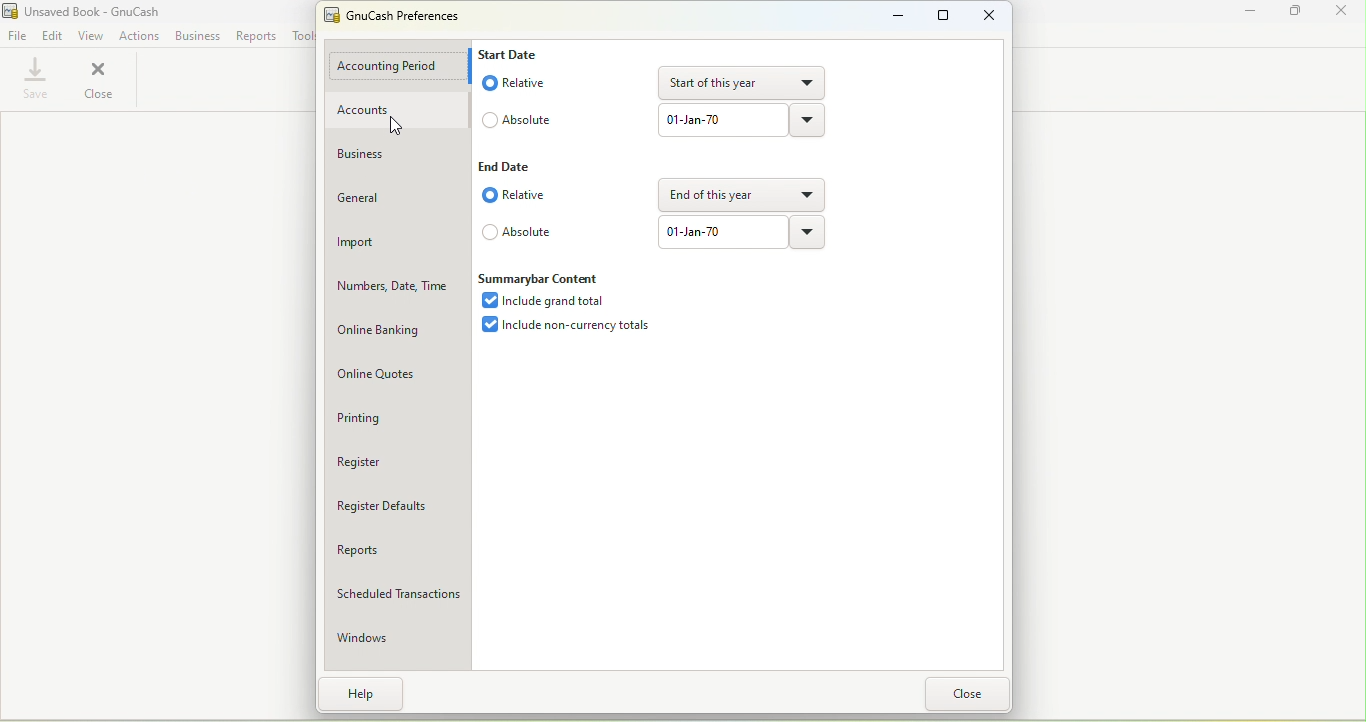 The height and width of the screenshot is (722, 1366). I want to click on Minimize, so click(888, 16).